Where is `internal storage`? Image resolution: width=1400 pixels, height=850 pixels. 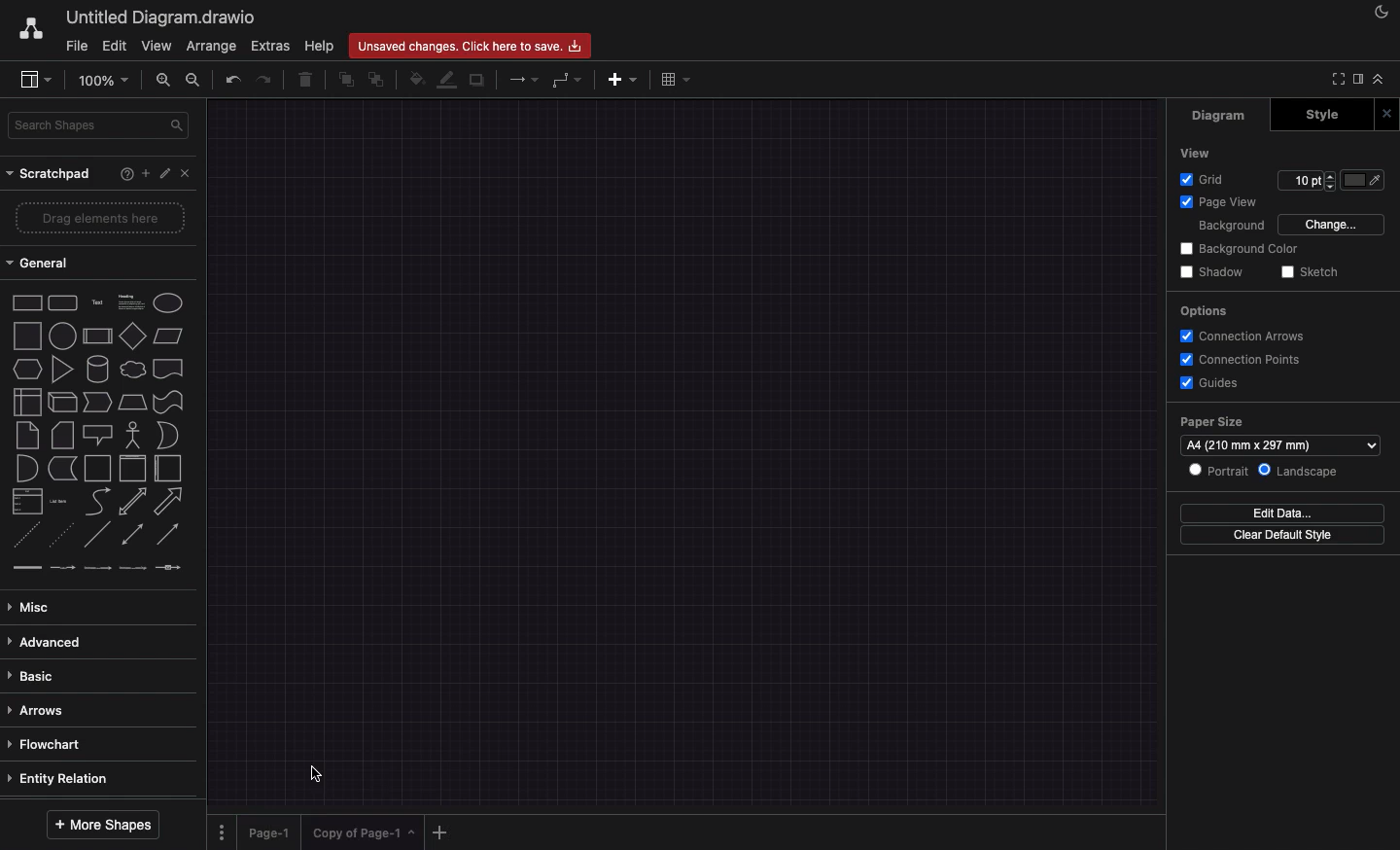
internal storage is located at coordinates (28, 402).